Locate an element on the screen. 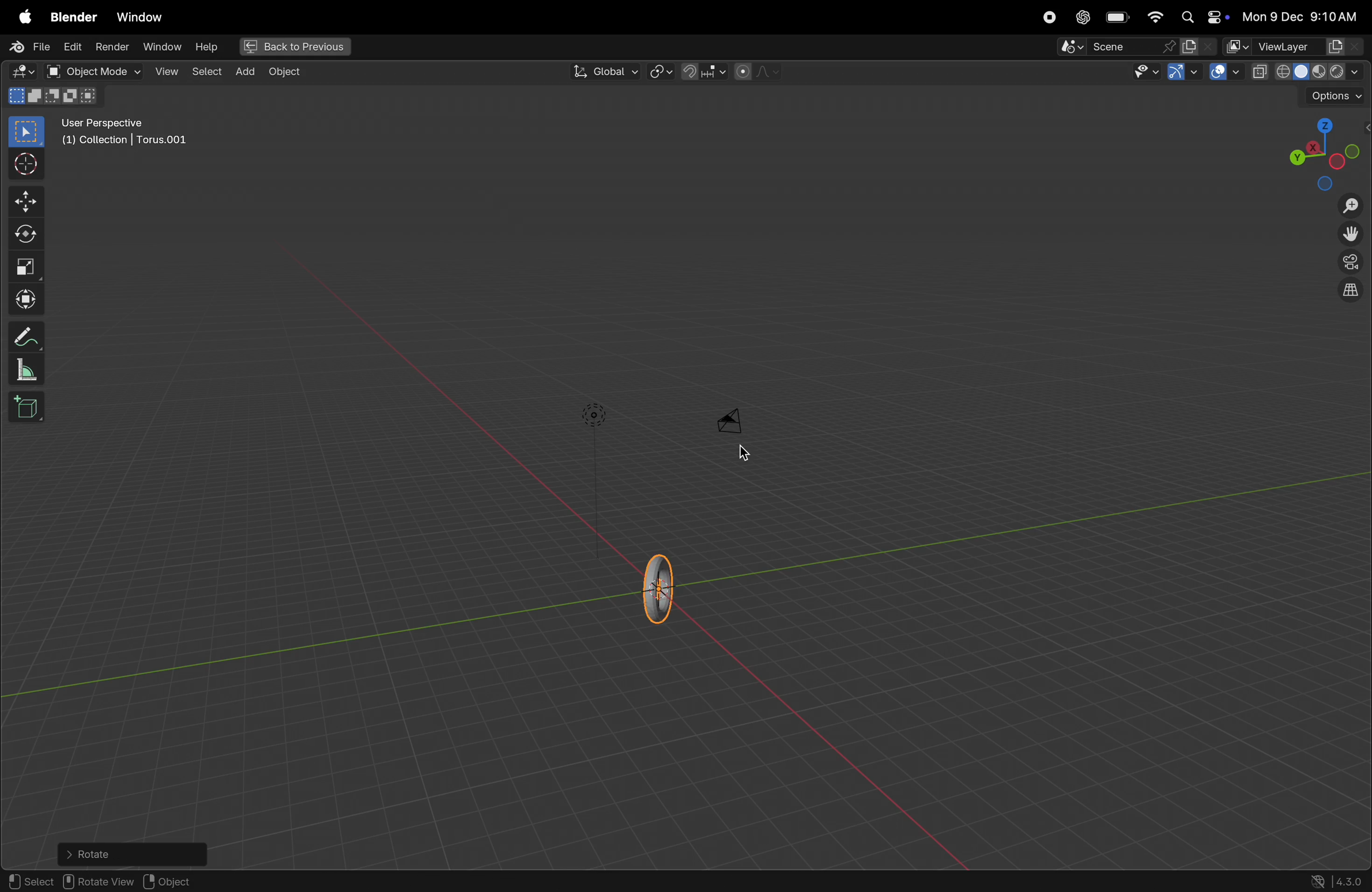 The image size is (1372, 892). user perspectivr is located at coordinates (127, 134).